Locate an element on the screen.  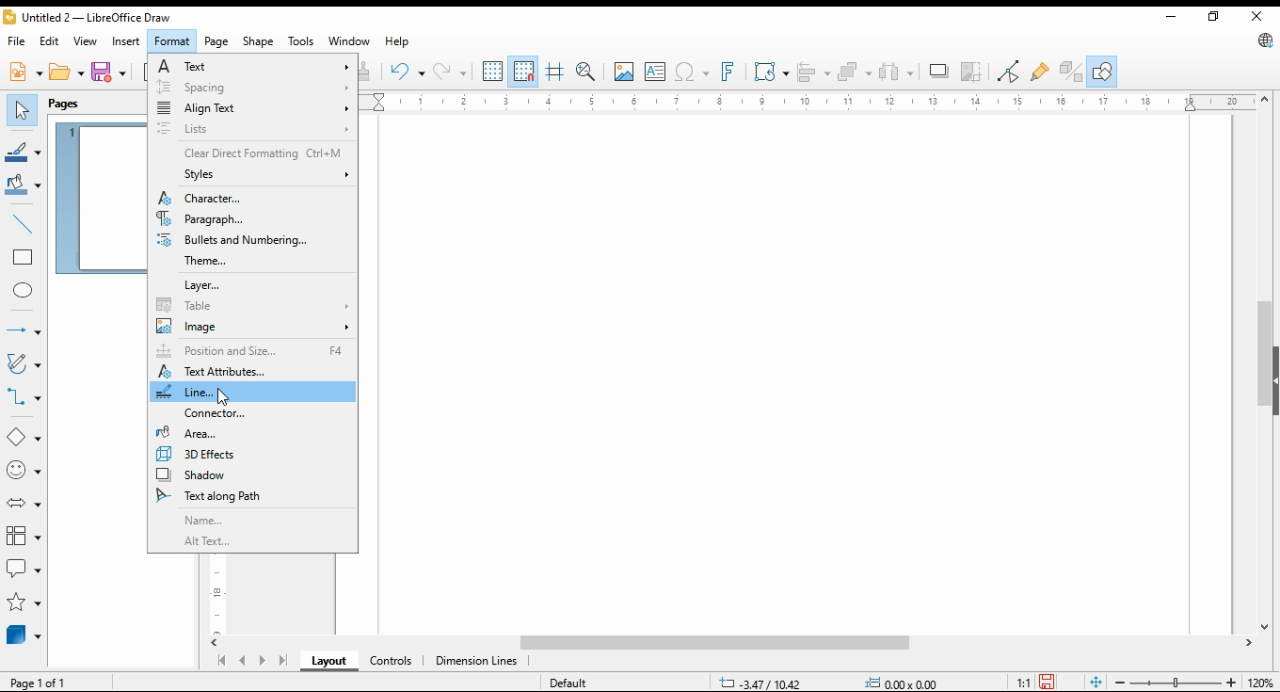
lines and arrows is located at coordinates (23, 331).